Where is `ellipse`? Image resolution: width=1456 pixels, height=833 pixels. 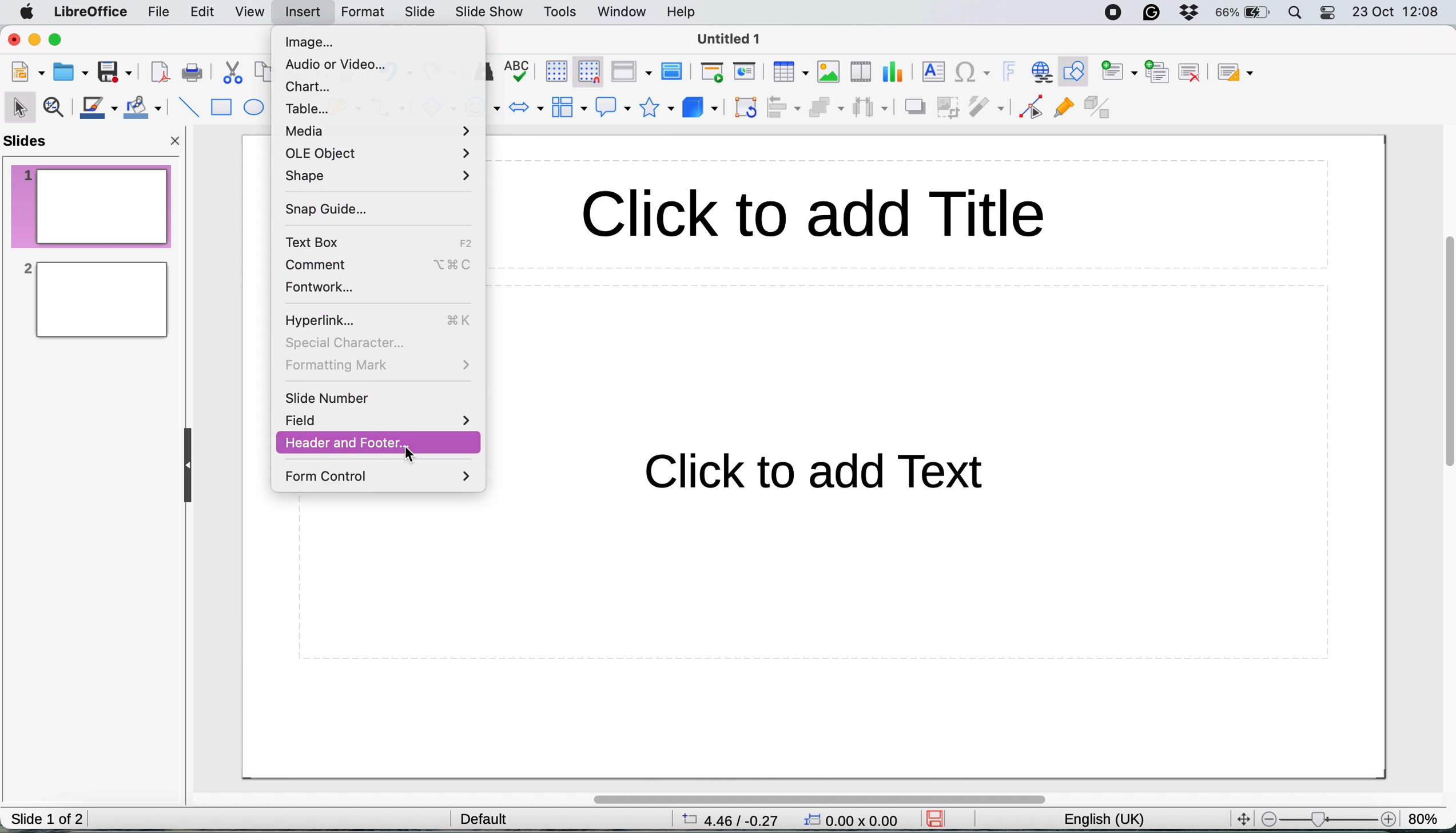 ellipse is located at coordinates (255, 108).